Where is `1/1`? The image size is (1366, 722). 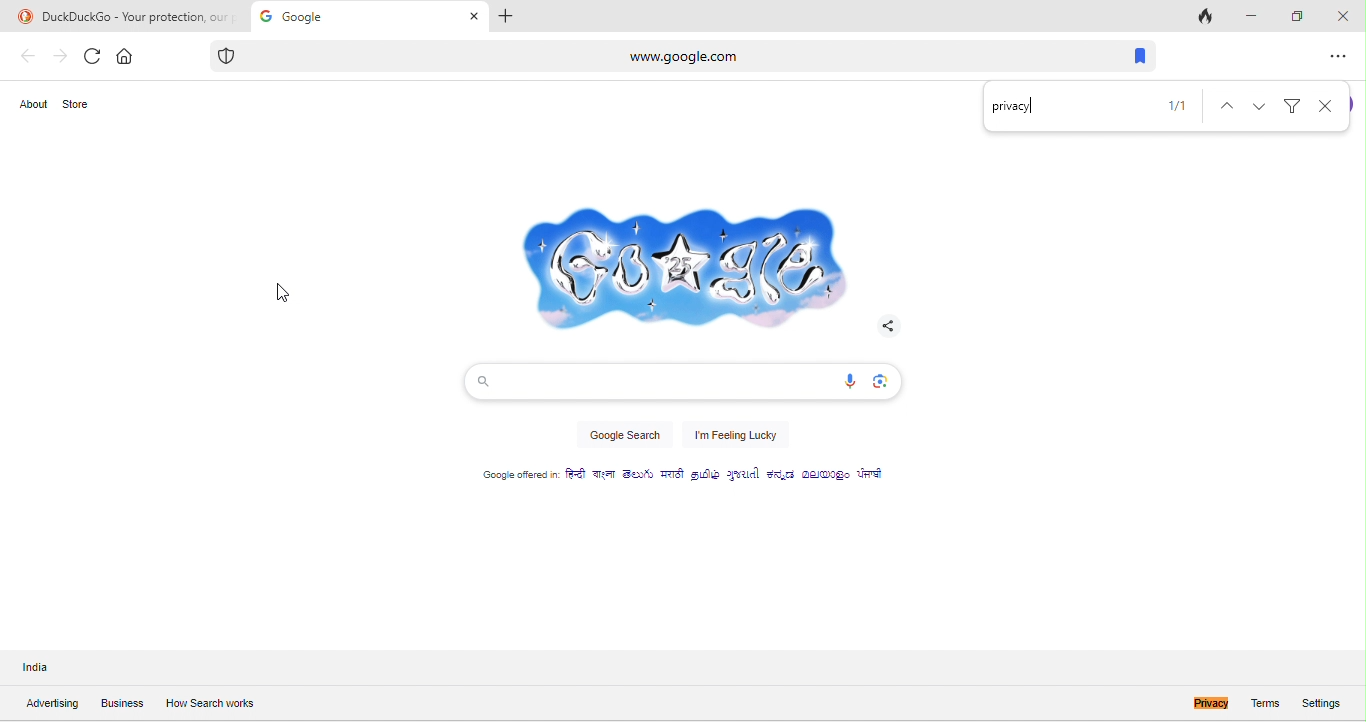 1/1 is located at coordinates (1173, 107).